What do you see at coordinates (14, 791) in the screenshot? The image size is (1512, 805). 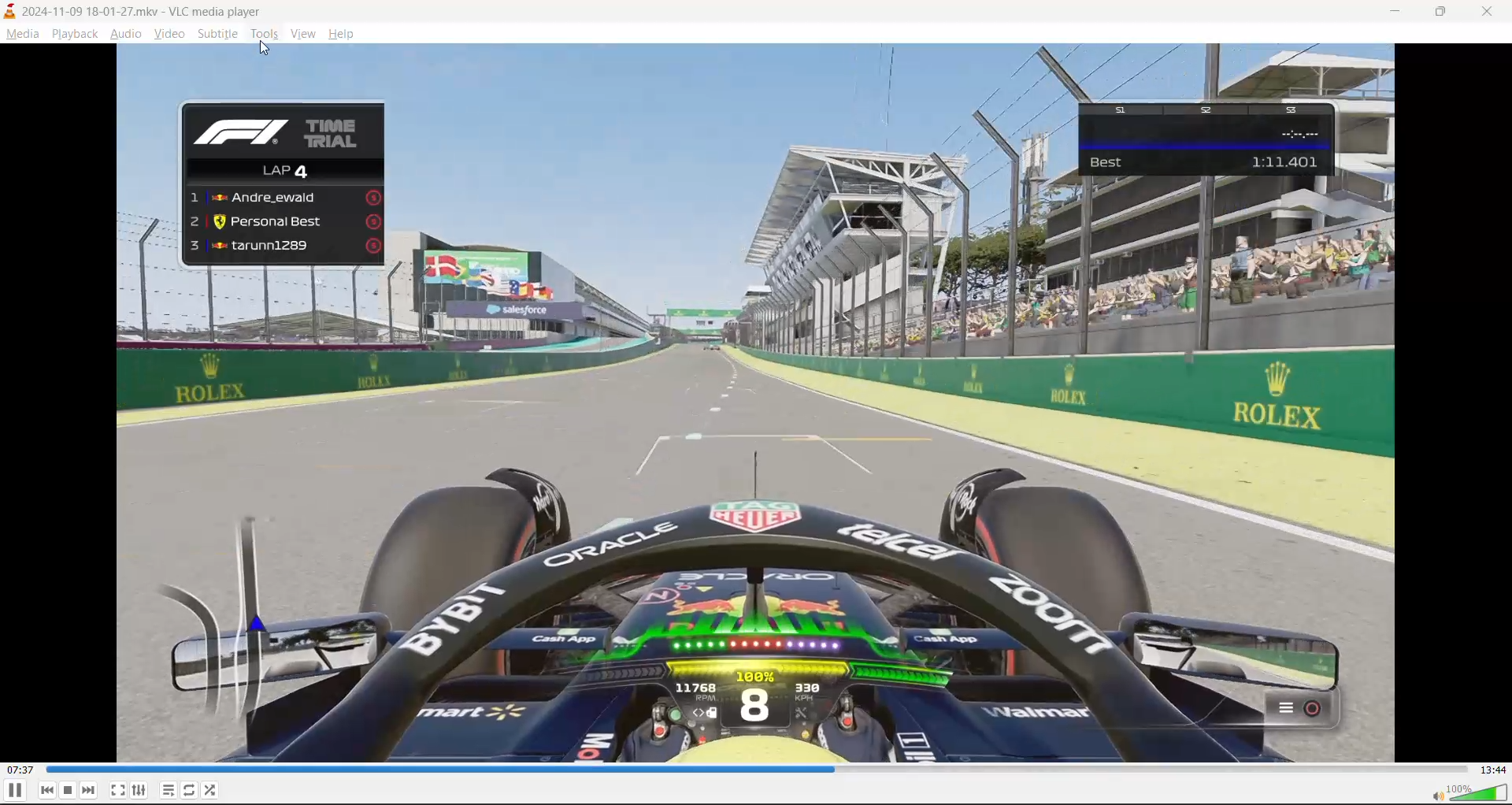 I see `pause` at bounding box center [14, 791].